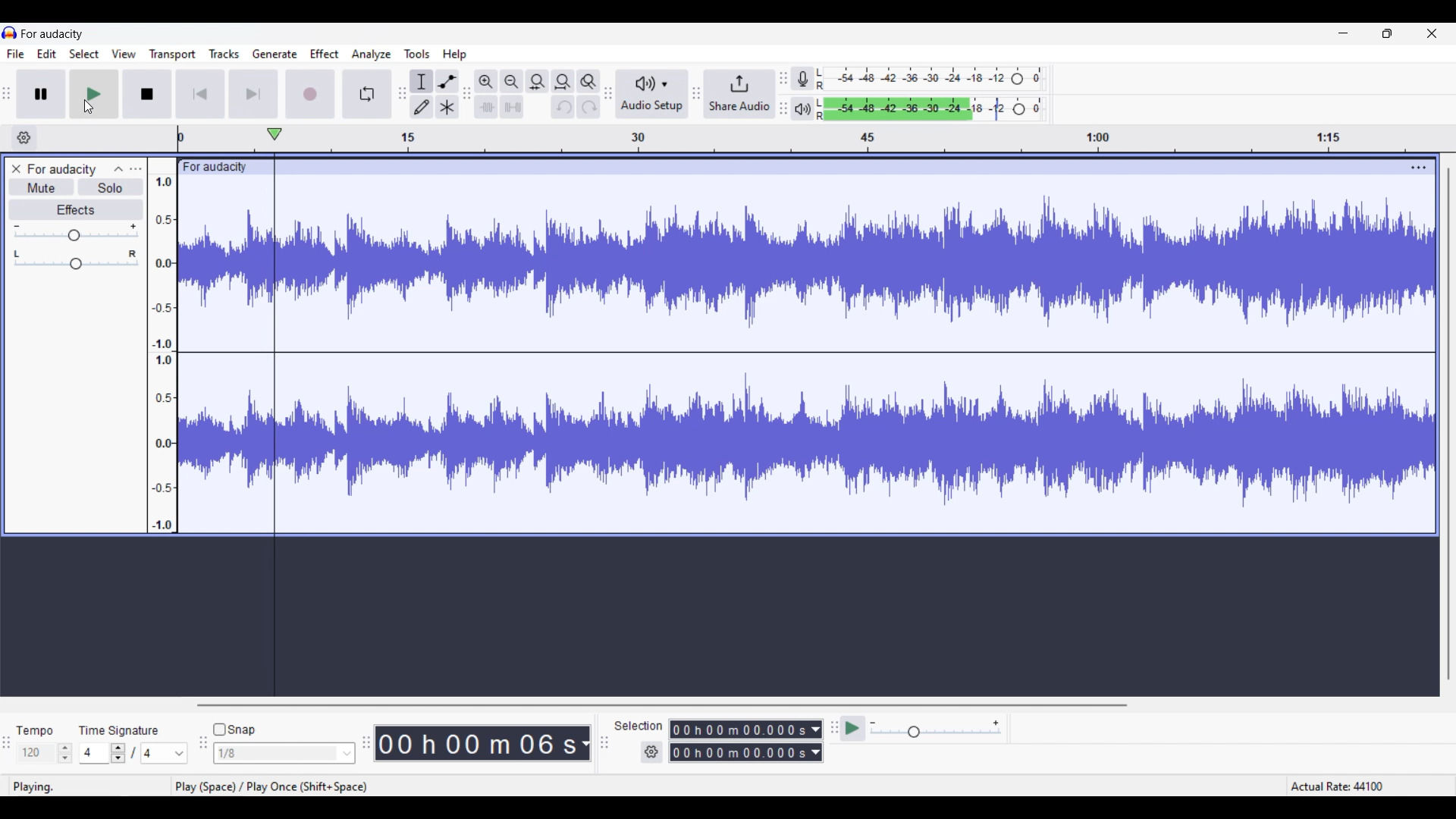  I want to click on Tools menu, so click(417, 53).